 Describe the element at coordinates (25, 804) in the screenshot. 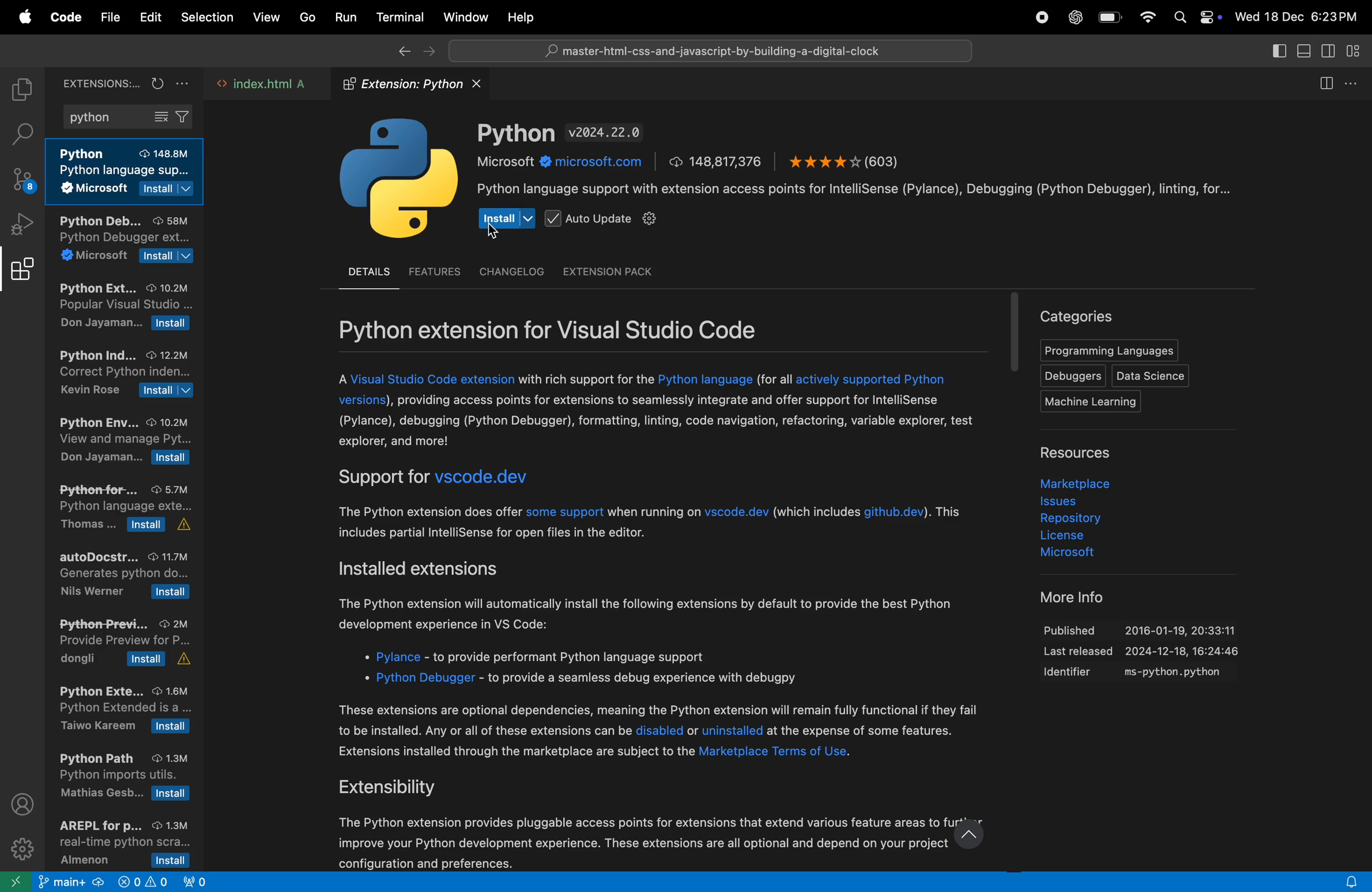

I see `profile` at that location.